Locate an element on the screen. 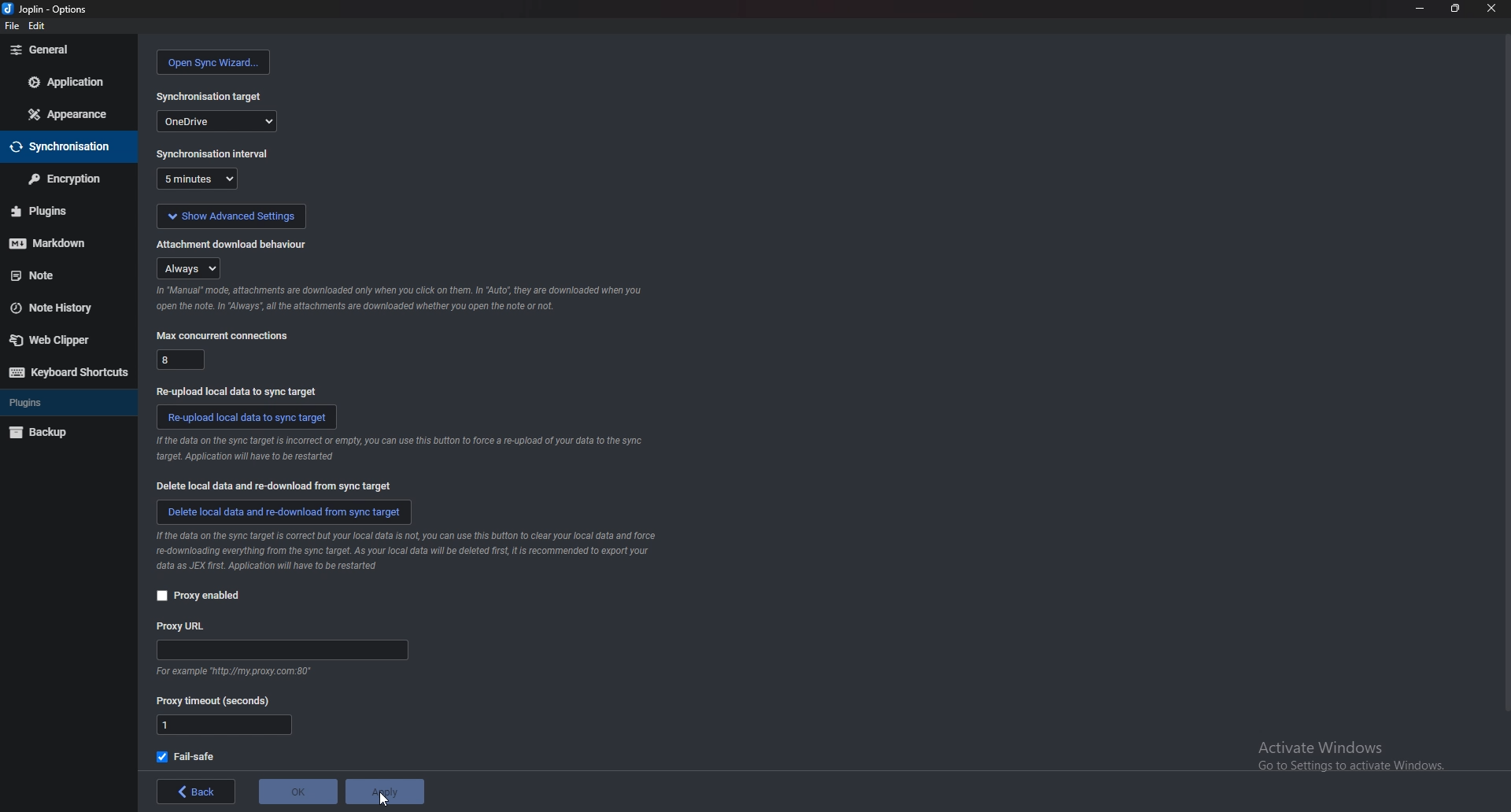 The image size is (1511, 812). back is located at coordinates (197, 791).